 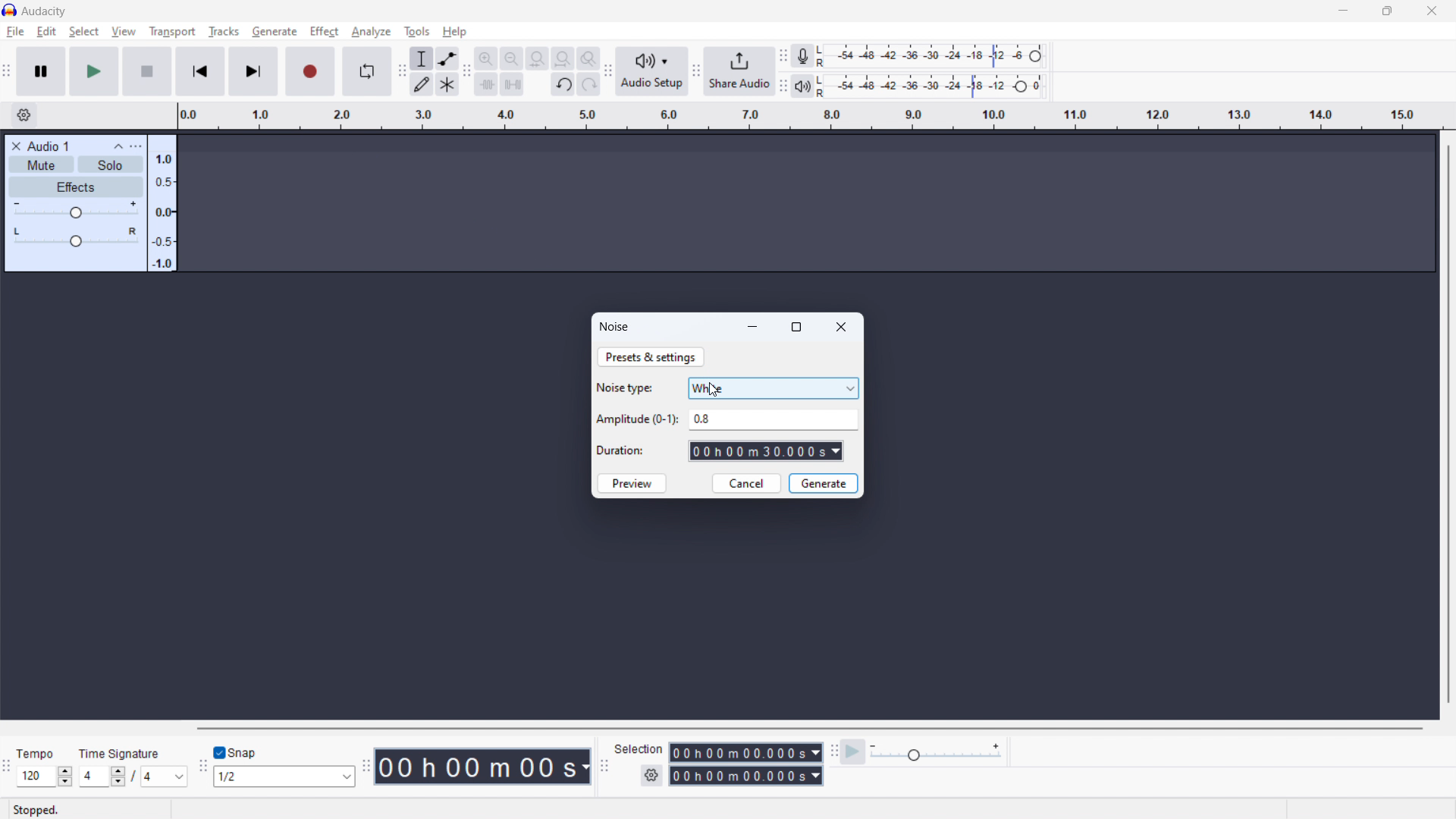 What do you see at coordinates (366, 71) in the screenshot?
I see `enable loop` at bounding box center [366, 71].